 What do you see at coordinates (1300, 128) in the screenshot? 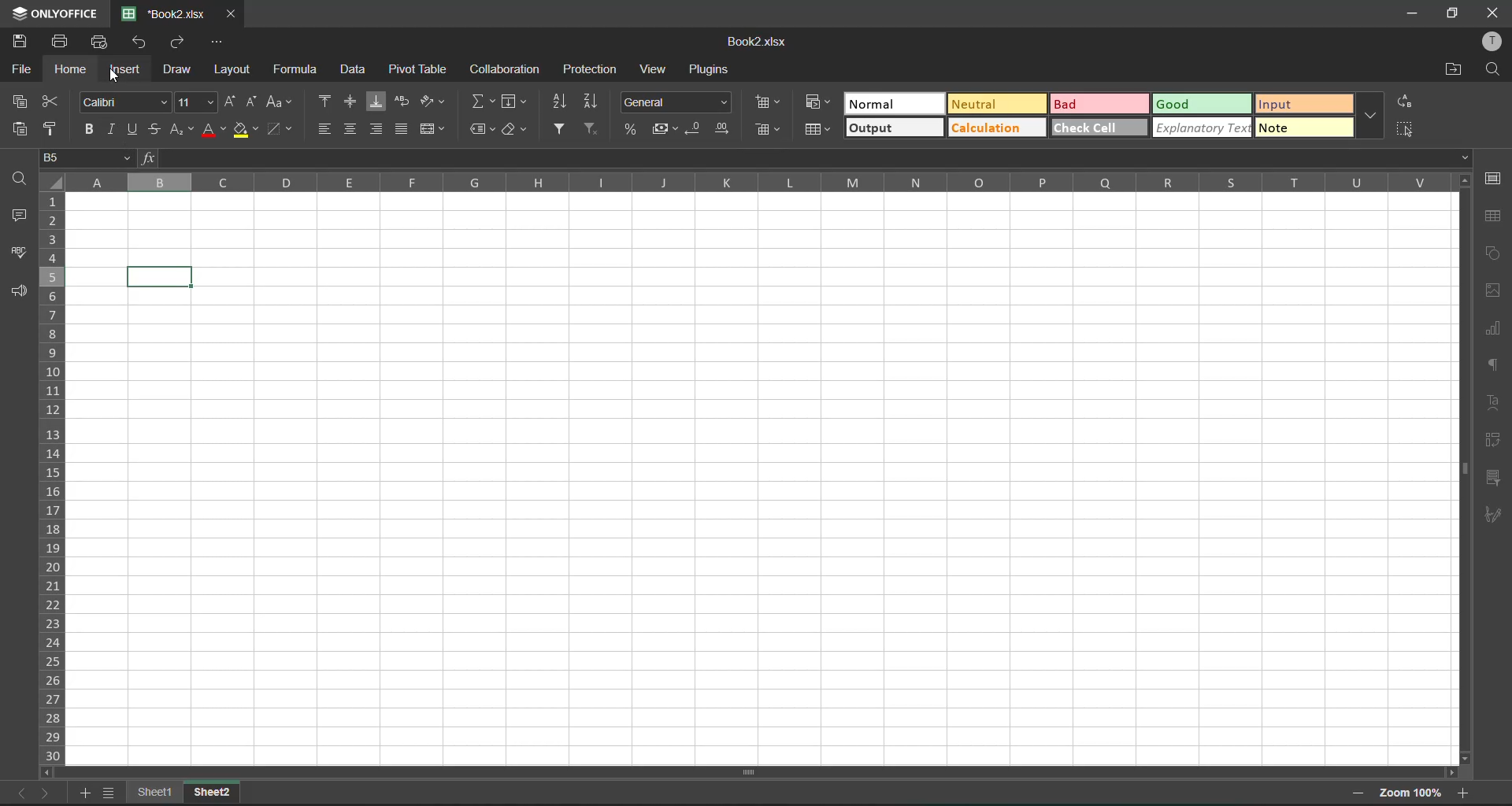
I see `note` at bounding box center [1300, 128].